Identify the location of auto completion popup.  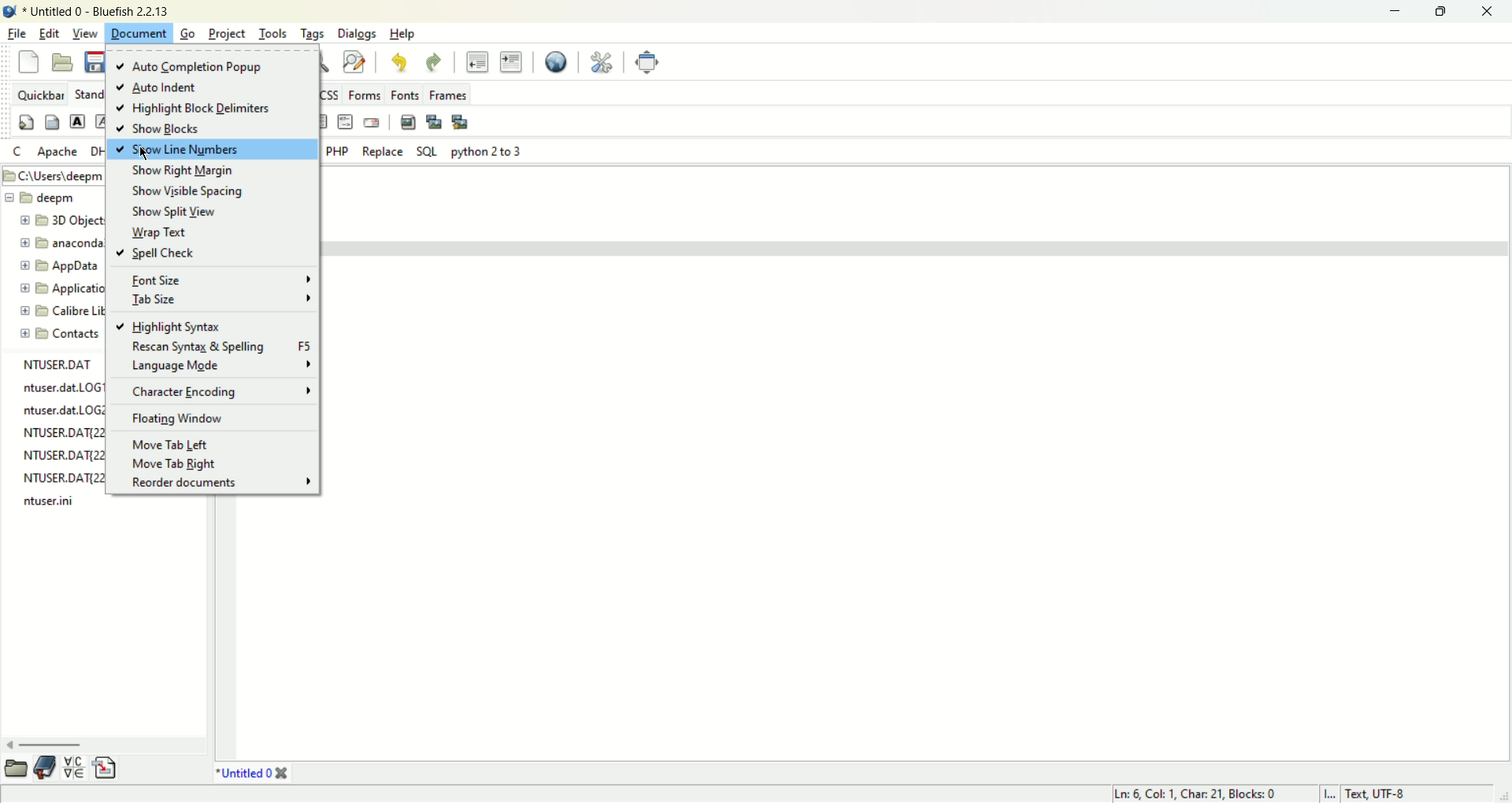
(194, 68).